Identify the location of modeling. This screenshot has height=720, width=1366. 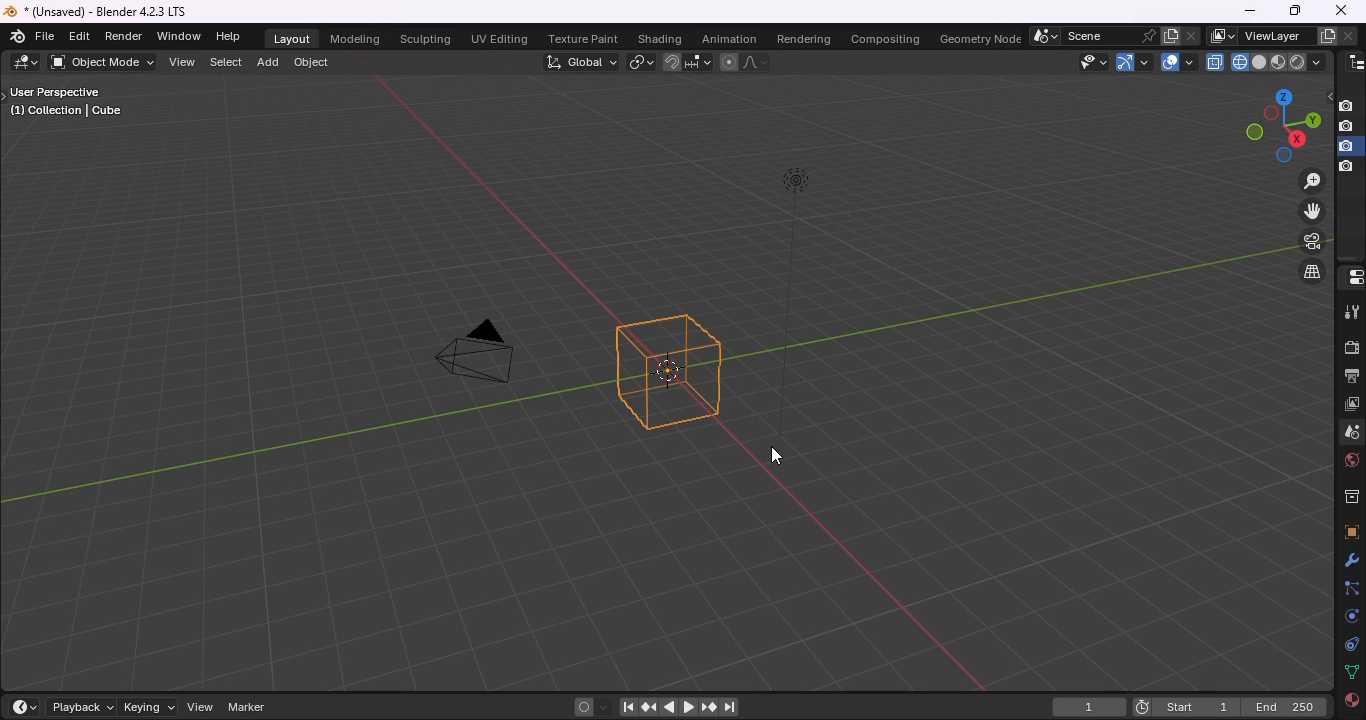
(357, 39).